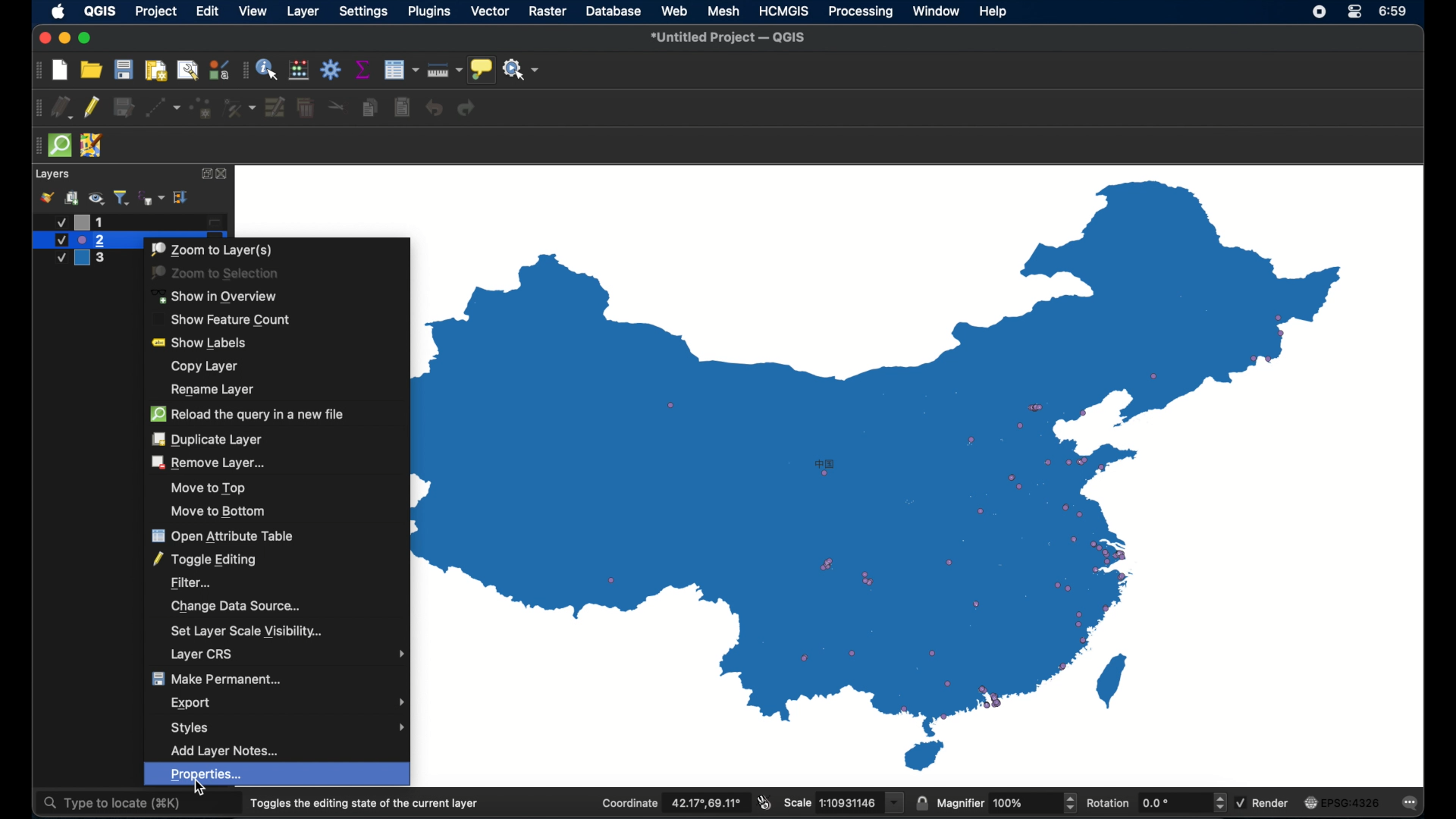 The height and width of the screenshot is (819, 1456). Describe the element at coordinates (288, 704) in the screenshot. I see `export menu` at that location.